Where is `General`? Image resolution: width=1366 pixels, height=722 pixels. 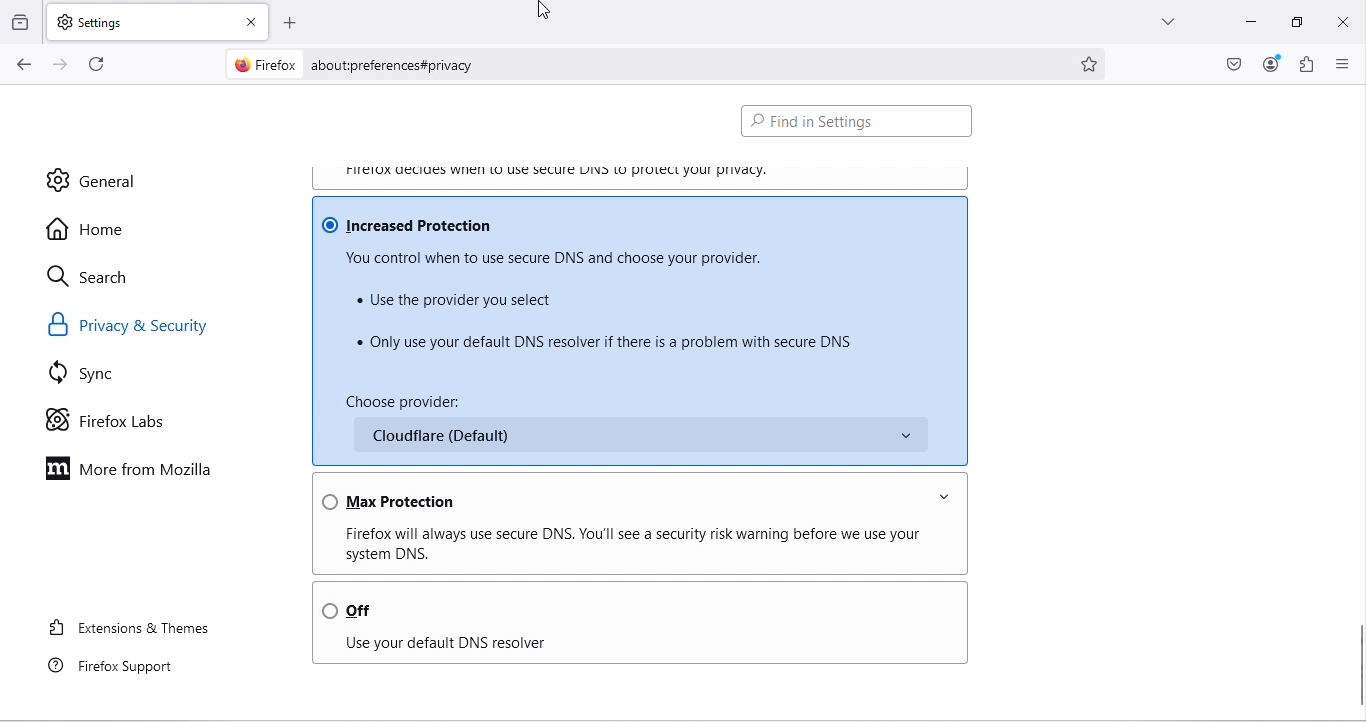
General is located at coordinates (91, 180).